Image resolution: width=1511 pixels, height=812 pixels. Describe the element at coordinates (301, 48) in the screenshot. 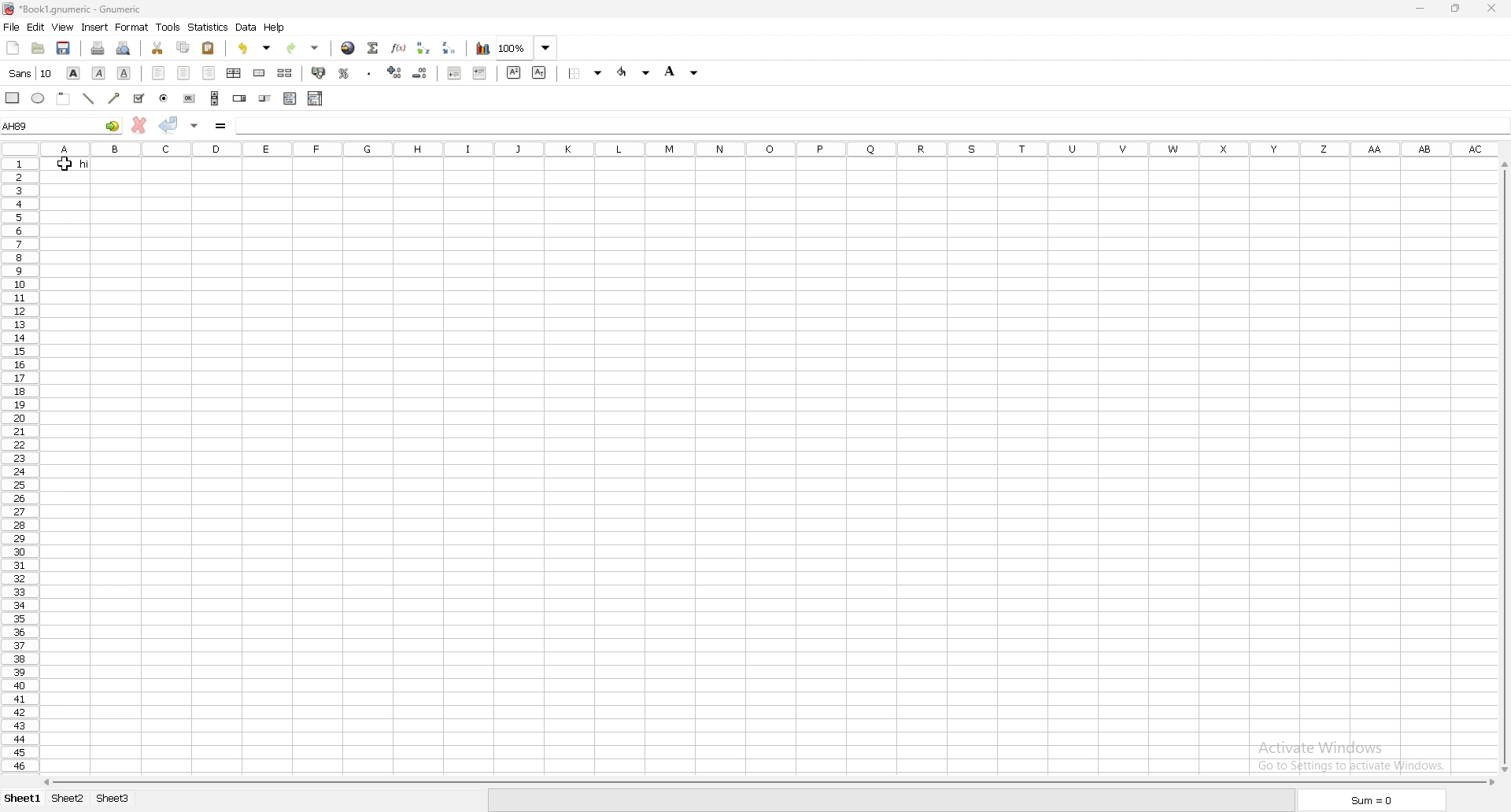

I see `redo` at that location.